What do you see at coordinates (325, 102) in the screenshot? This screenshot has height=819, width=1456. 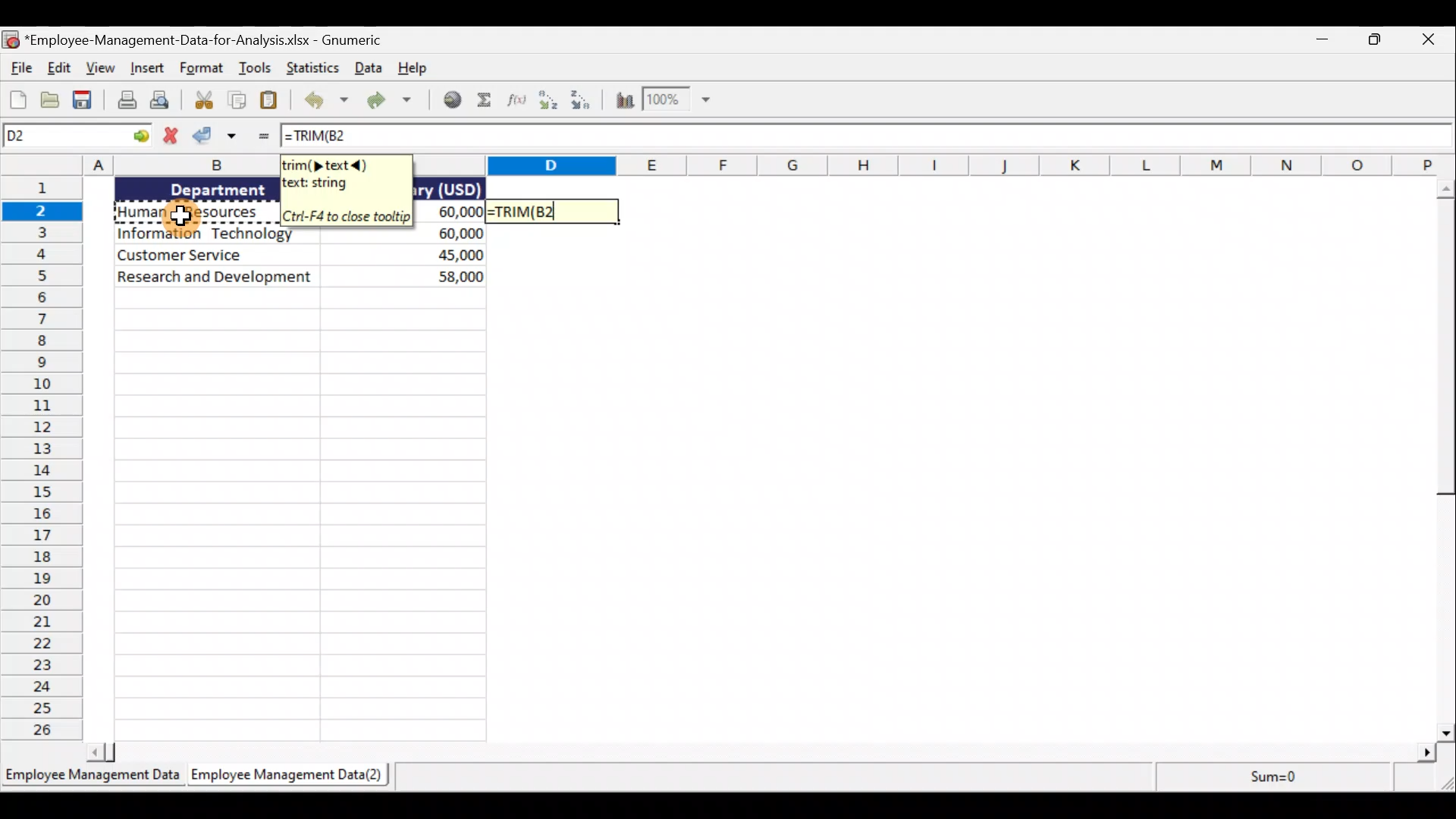 I see `Undo the last action` at bounding box center [325, 102].